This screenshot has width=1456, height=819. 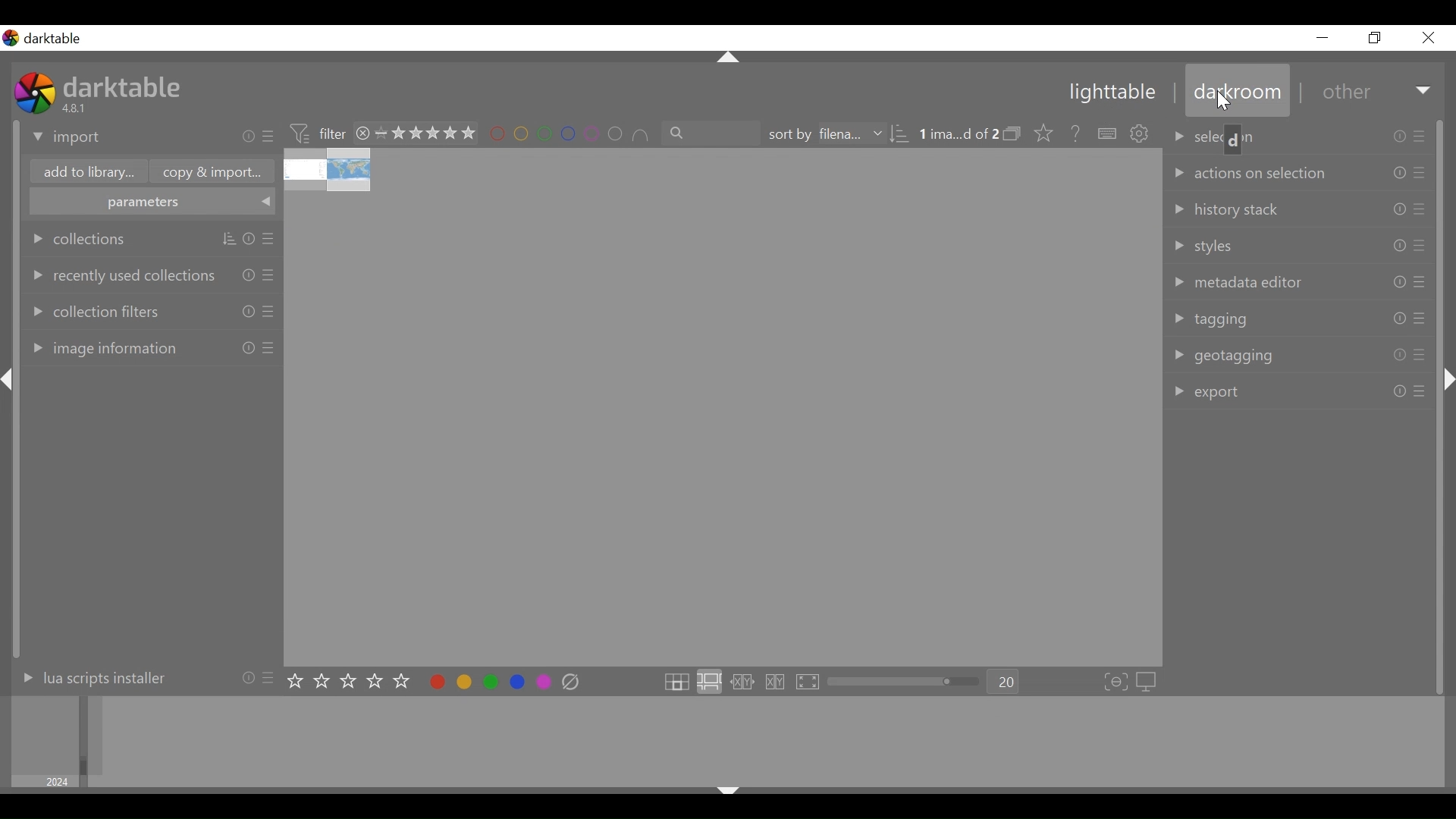 I want to click on parameters, so click(x=151, y=202).